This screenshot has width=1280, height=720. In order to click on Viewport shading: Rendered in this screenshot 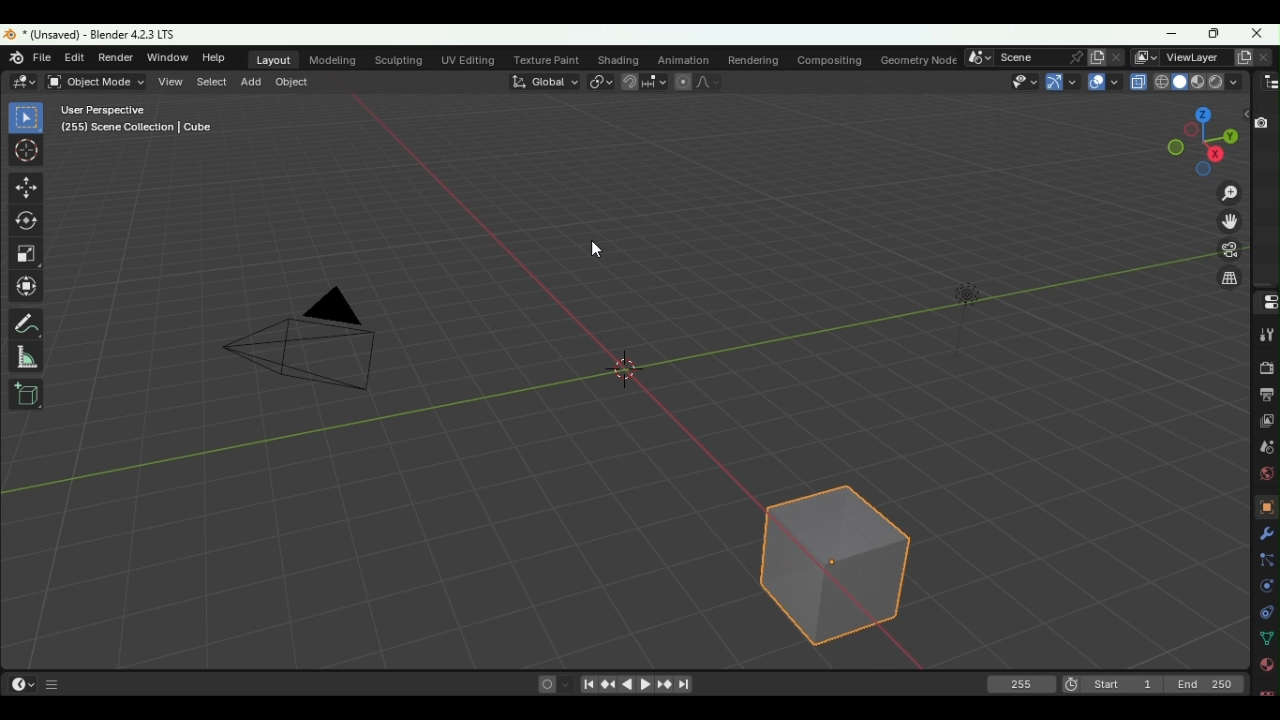, I will do `click(1215, 83)`.